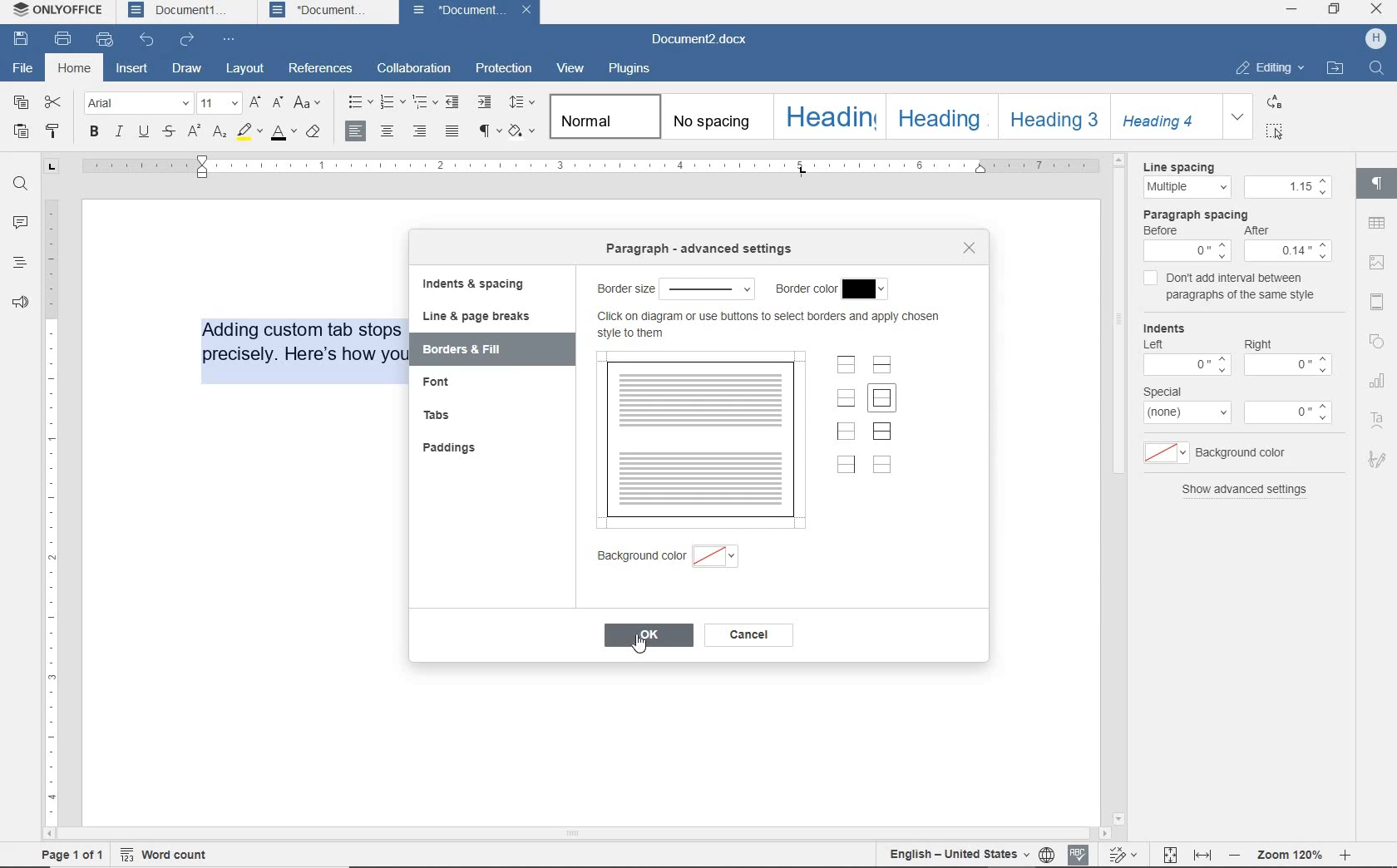 The image size is (1397, 868). Describe the element at coordinates (144, 133) in the screenshot. I see `underline` at that location.